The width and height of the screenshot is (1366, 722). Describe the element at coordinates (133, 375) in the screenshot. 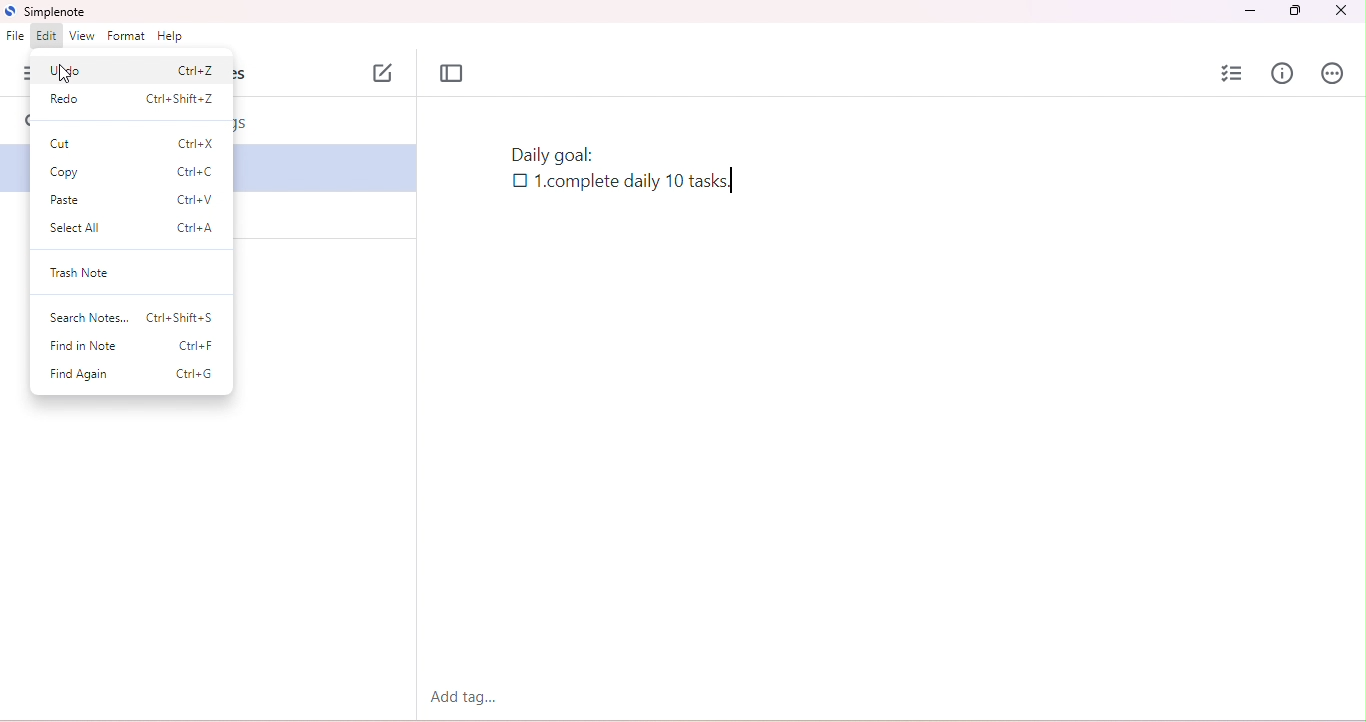

I see `find again` at that location.